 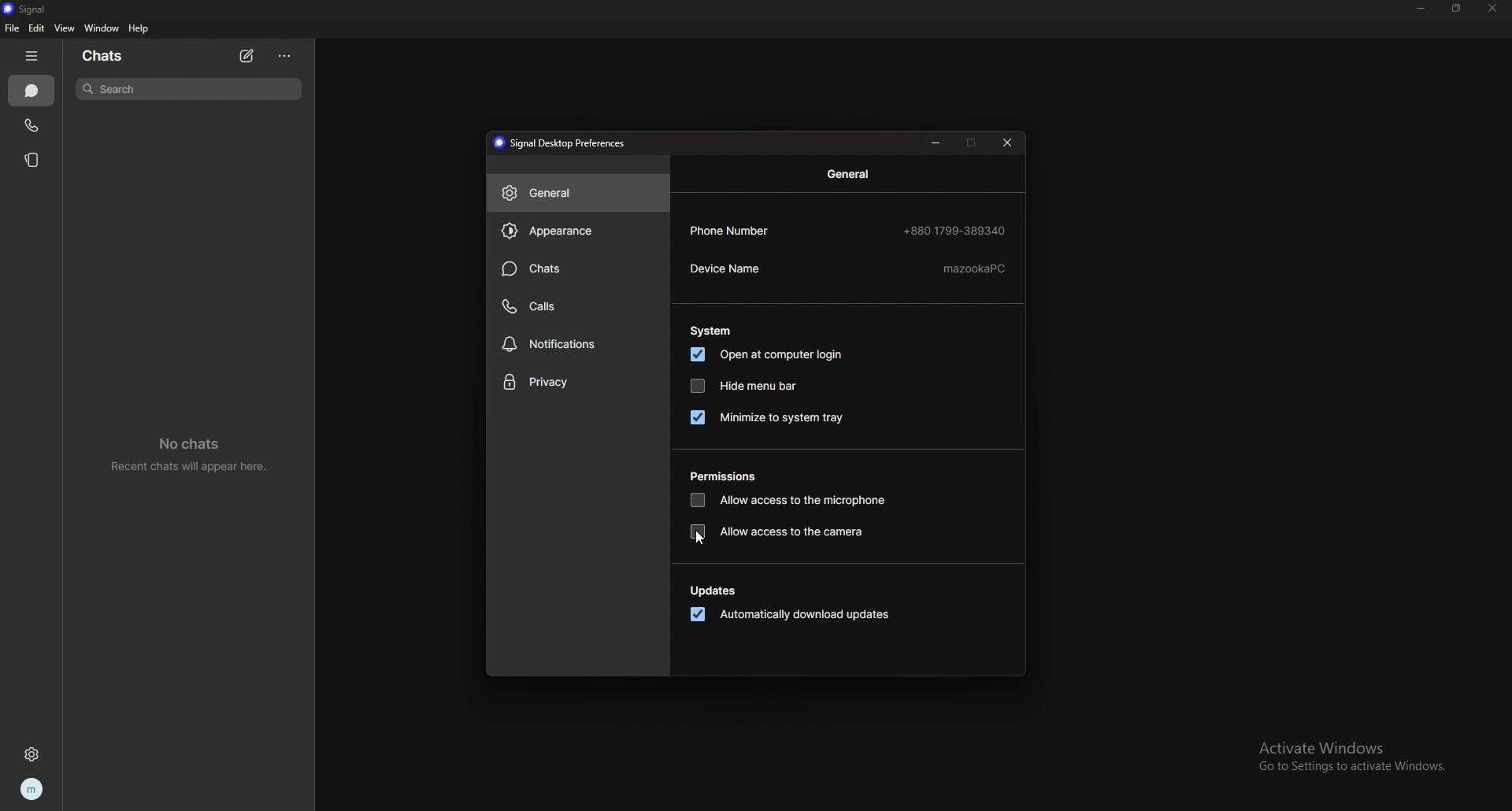 I want to click on maximize, so click(x=972, y=143).